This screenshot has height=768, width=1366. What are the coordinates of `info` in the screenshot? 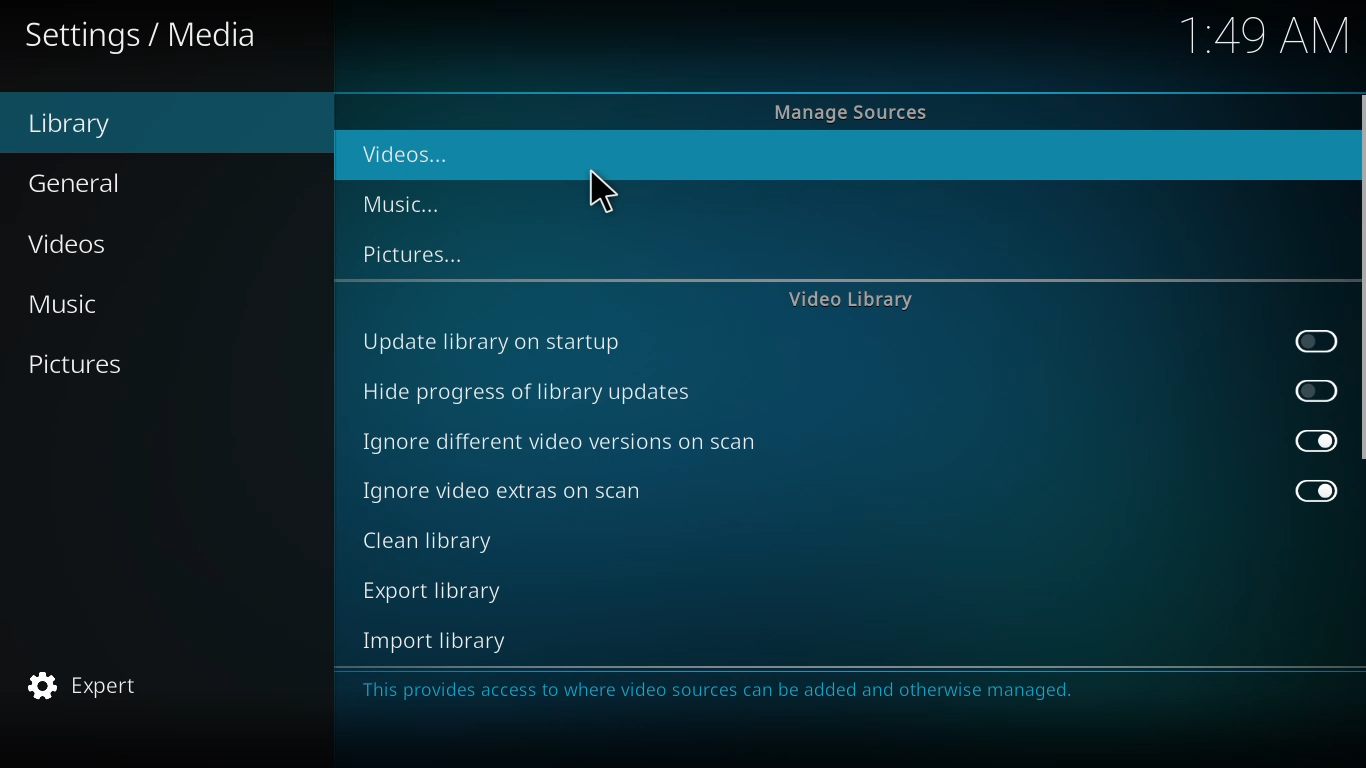 It's located at (720, 691).